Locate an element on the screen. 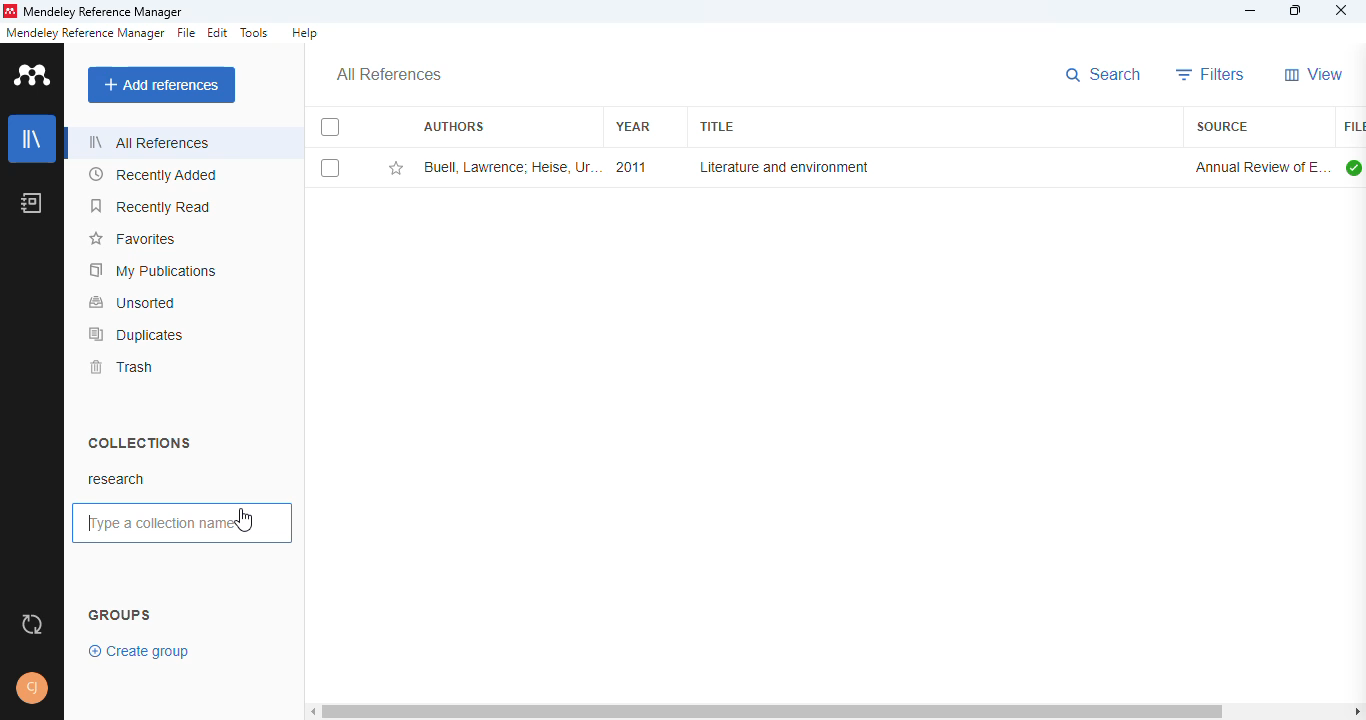  minimize is located at coordinates (1251, 12).